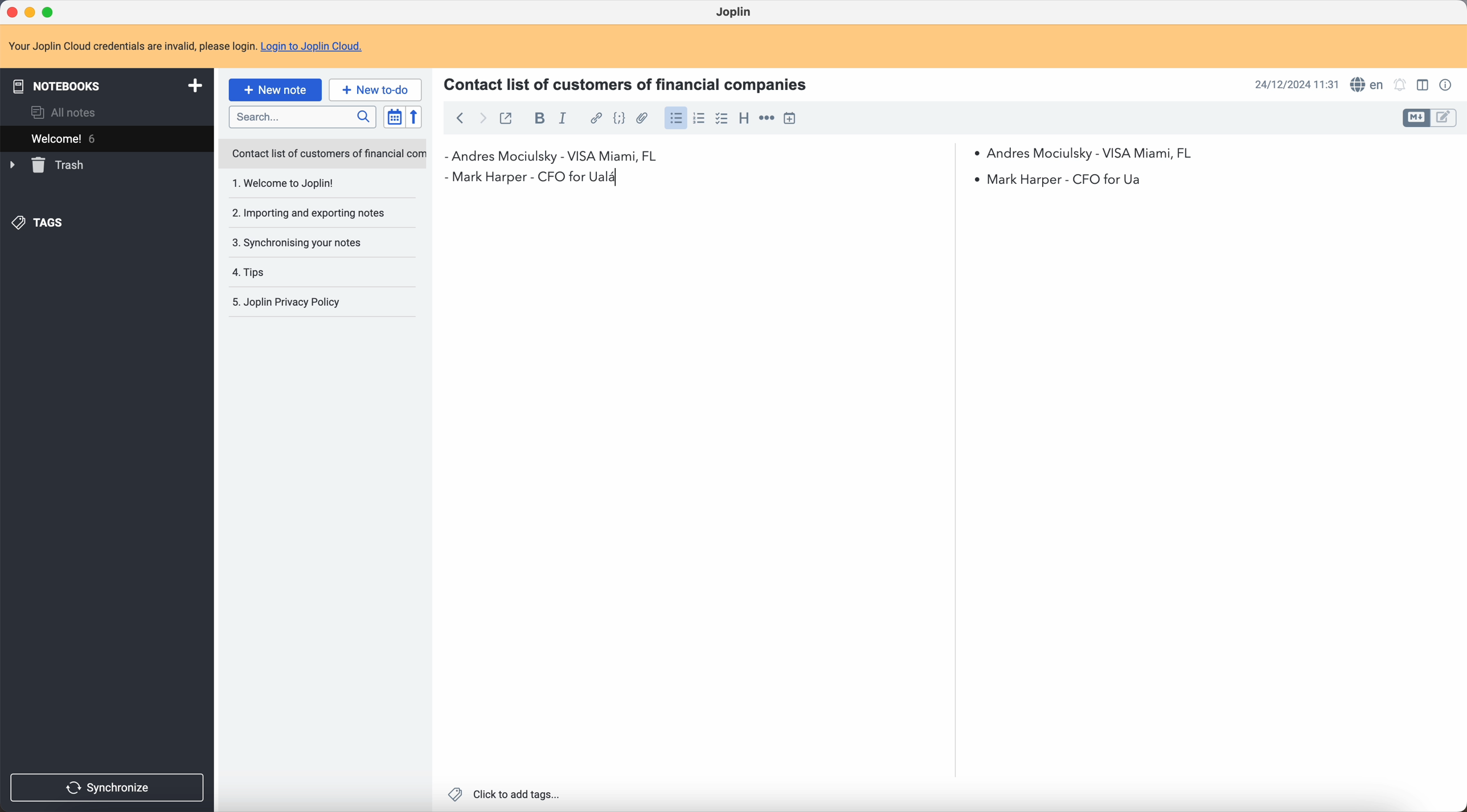 This screenshot has width=1467, height=812. Describe the element at coordinates (619, 119) in the screenshot. I see `code` at that location.